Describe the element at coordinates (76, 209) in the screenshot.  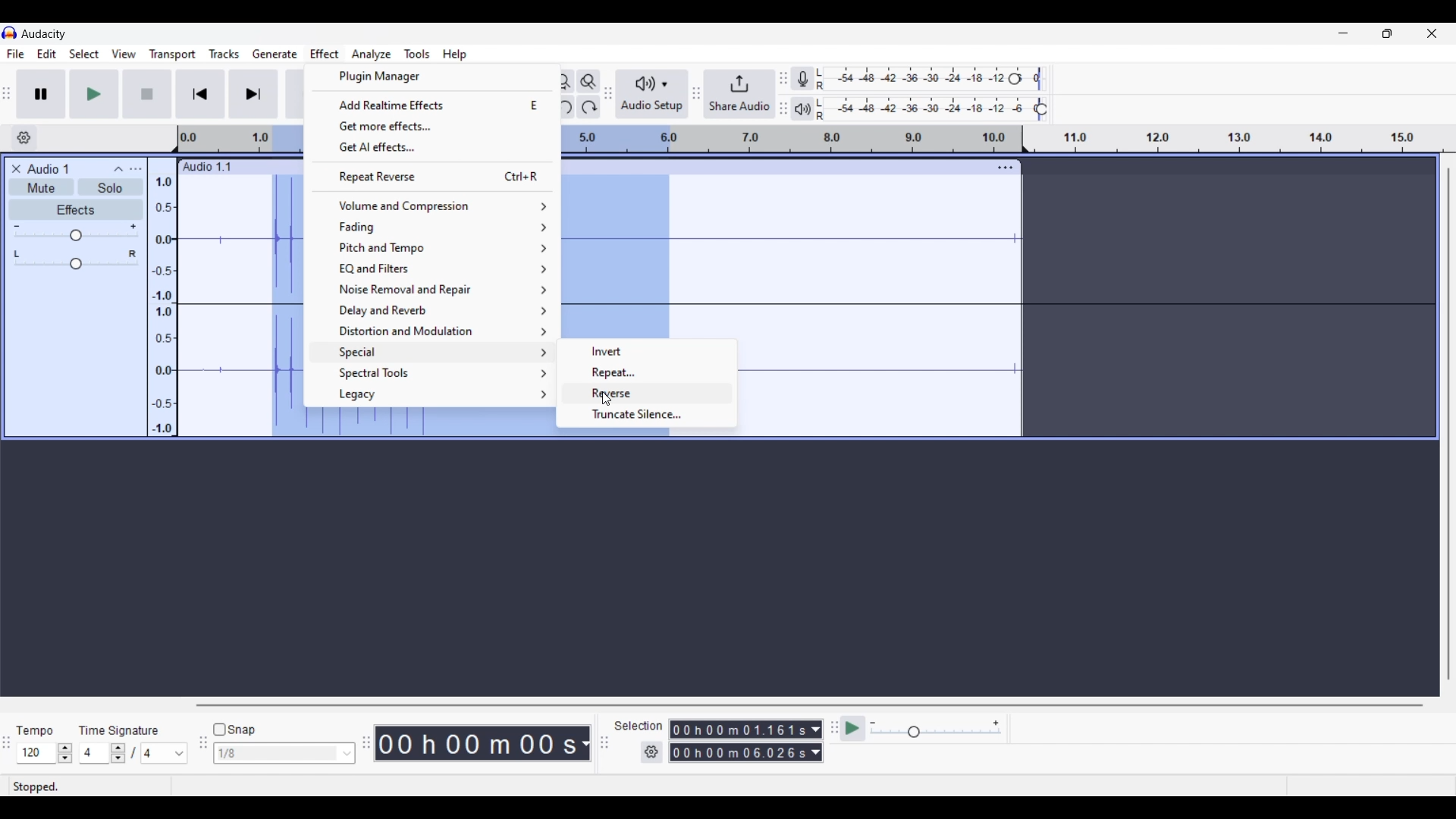
I see `Effects` at that location.